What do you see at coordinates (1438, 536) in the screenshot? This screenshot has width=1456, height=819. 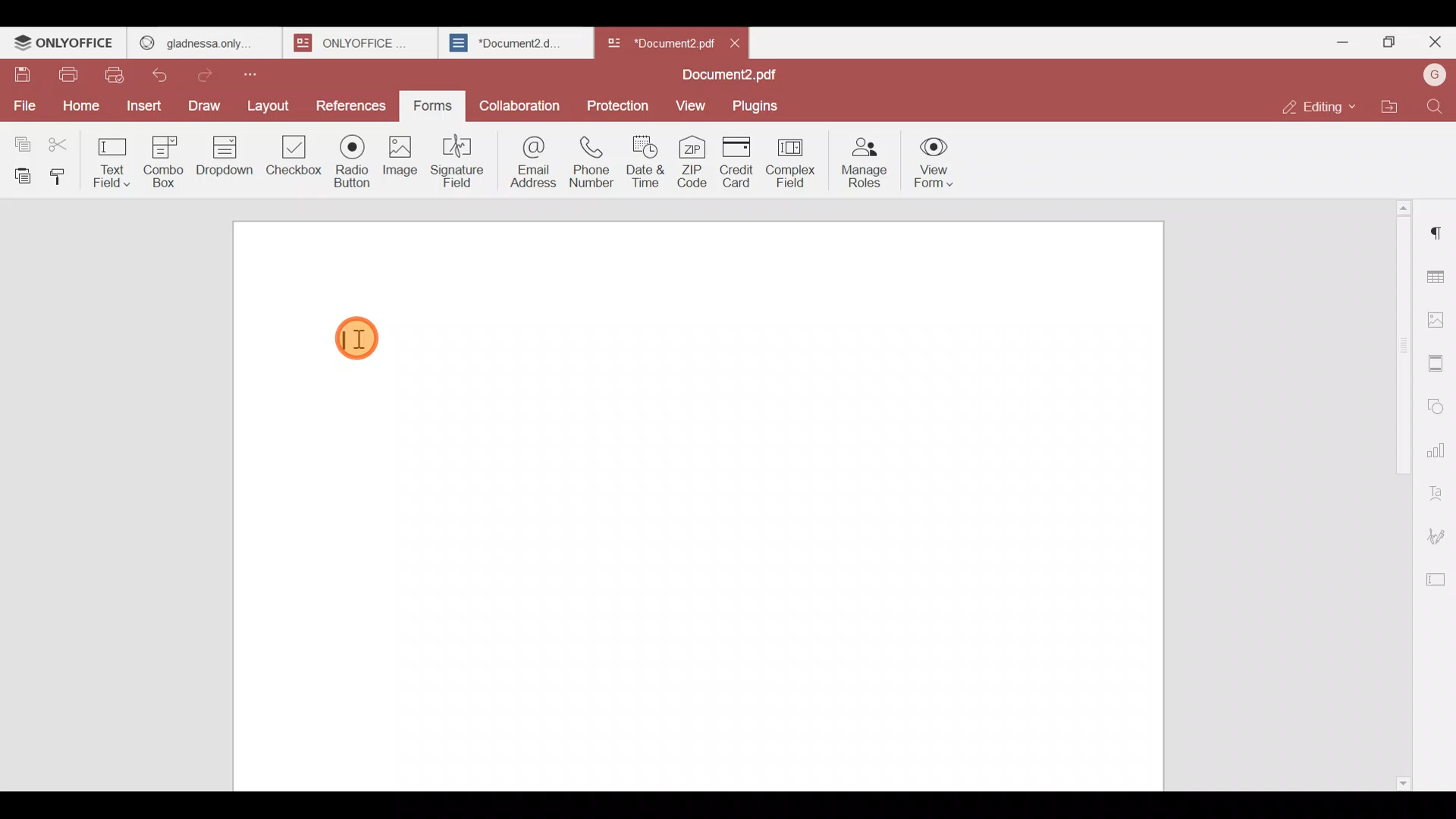 I see `Signature settings` at bounding box center [1438, 536].